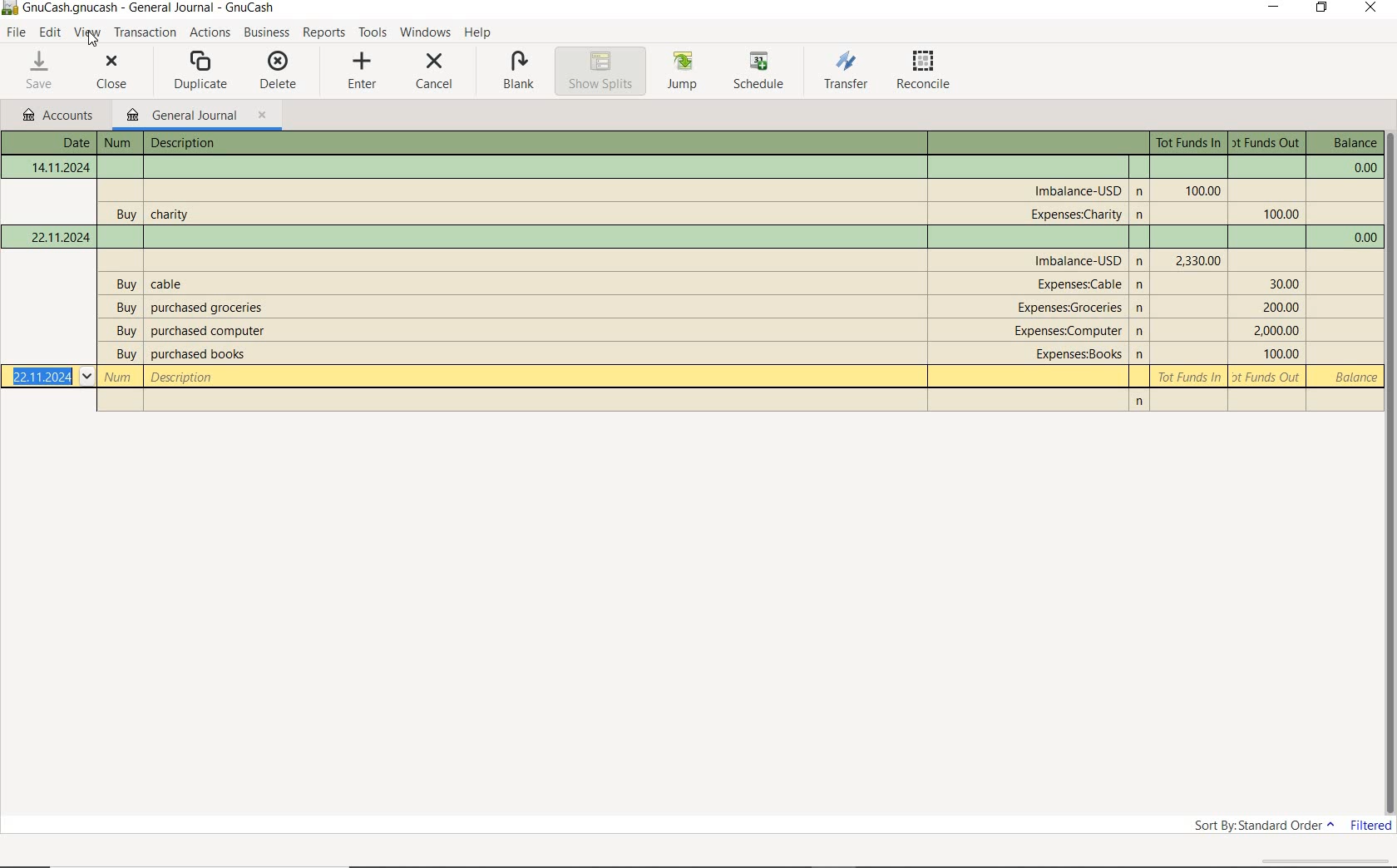 The height and width of the screenshot is (868, 1397). I want to click on VIEW, so click(89, 33).